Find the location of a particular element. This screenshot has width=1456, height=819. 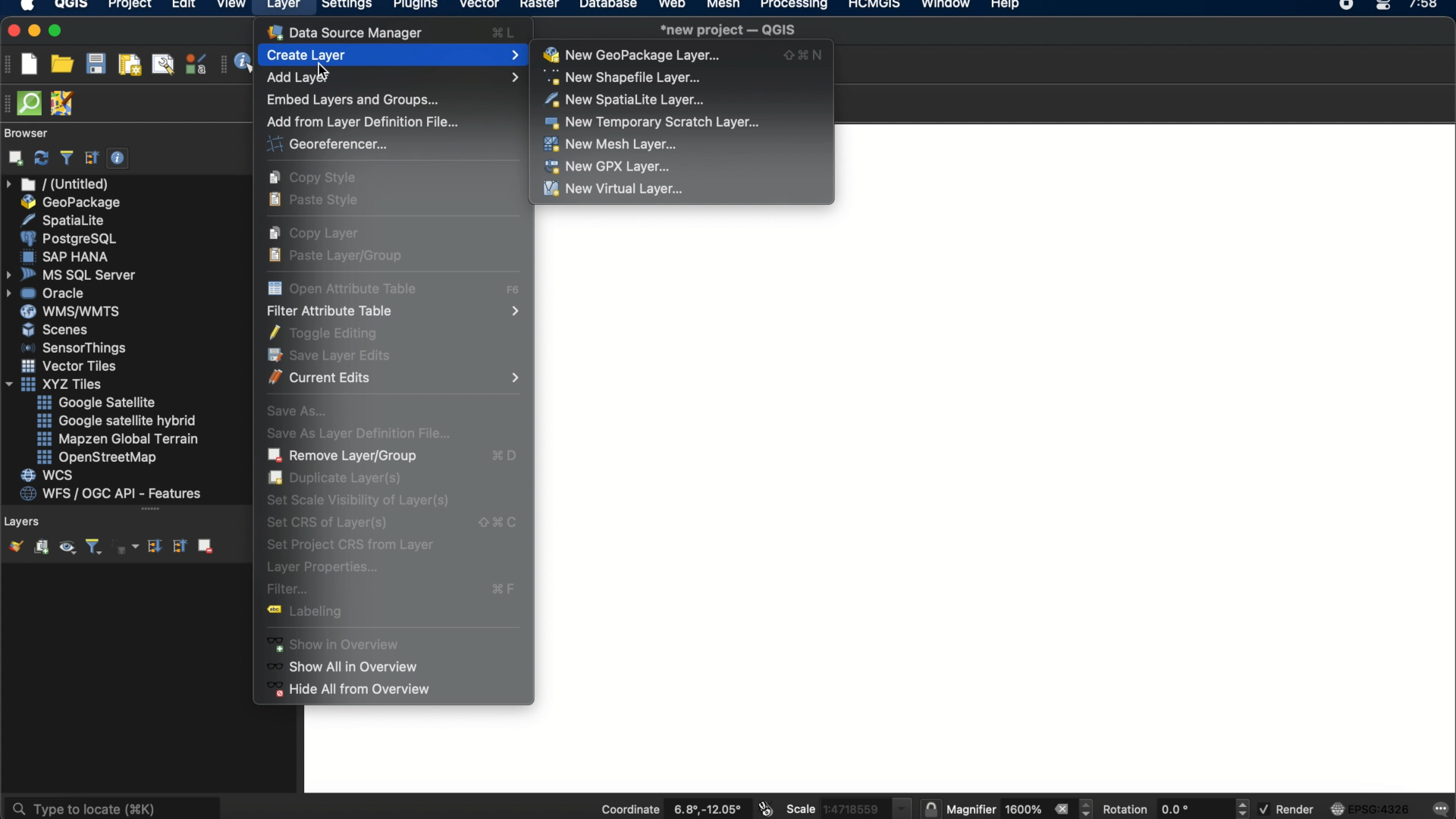

plugins is located at coordinates (416, 7).